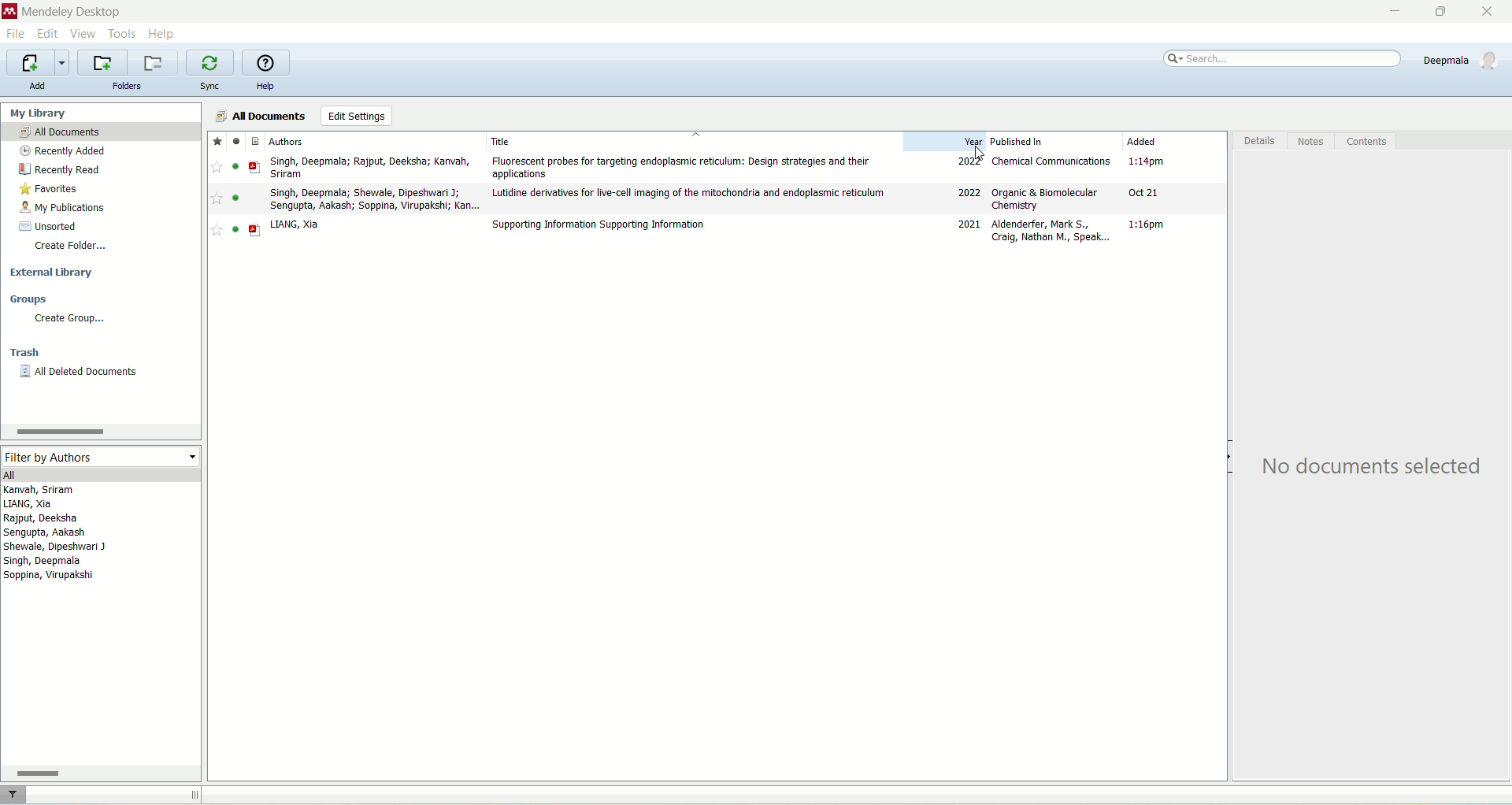 The width and height of the screenshot is (1512, 805). What do you see at coordinates (94, 131) in the screenshot?
I see `all documents` at bounding box center [94, 131].